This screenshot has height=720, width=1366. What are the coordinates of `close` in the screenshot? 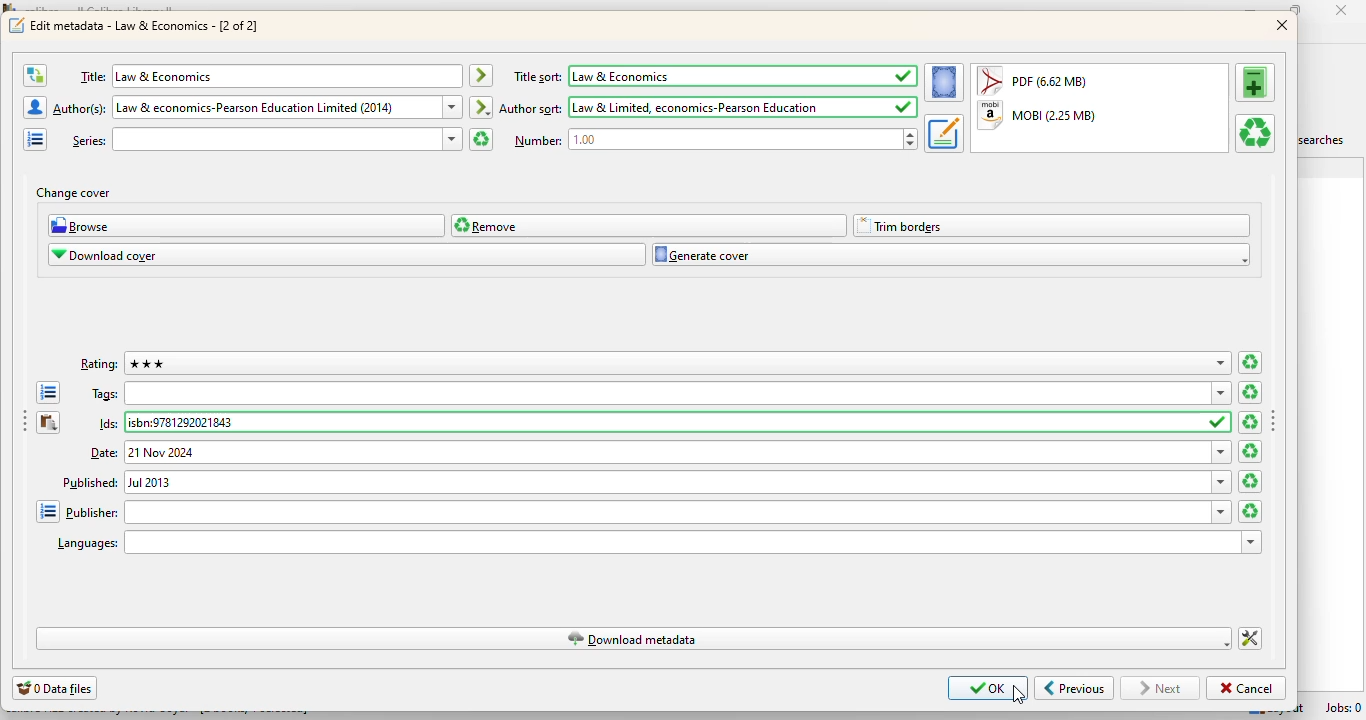 It's located at (1283, 26).